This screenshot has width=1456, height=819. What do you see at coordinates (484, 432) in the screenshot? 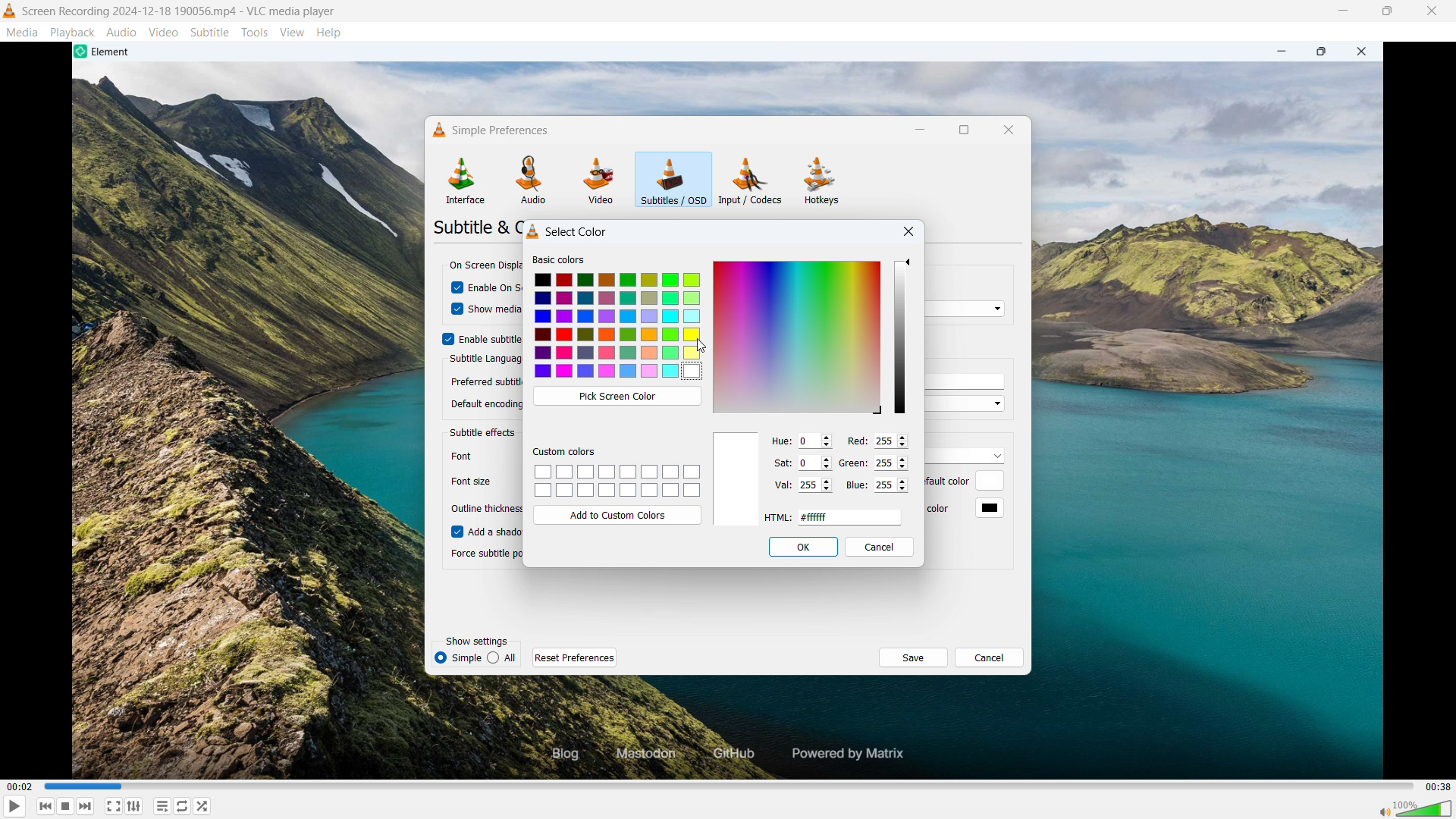
I see `Subtitle effects ` at bounding box center [484, 432].